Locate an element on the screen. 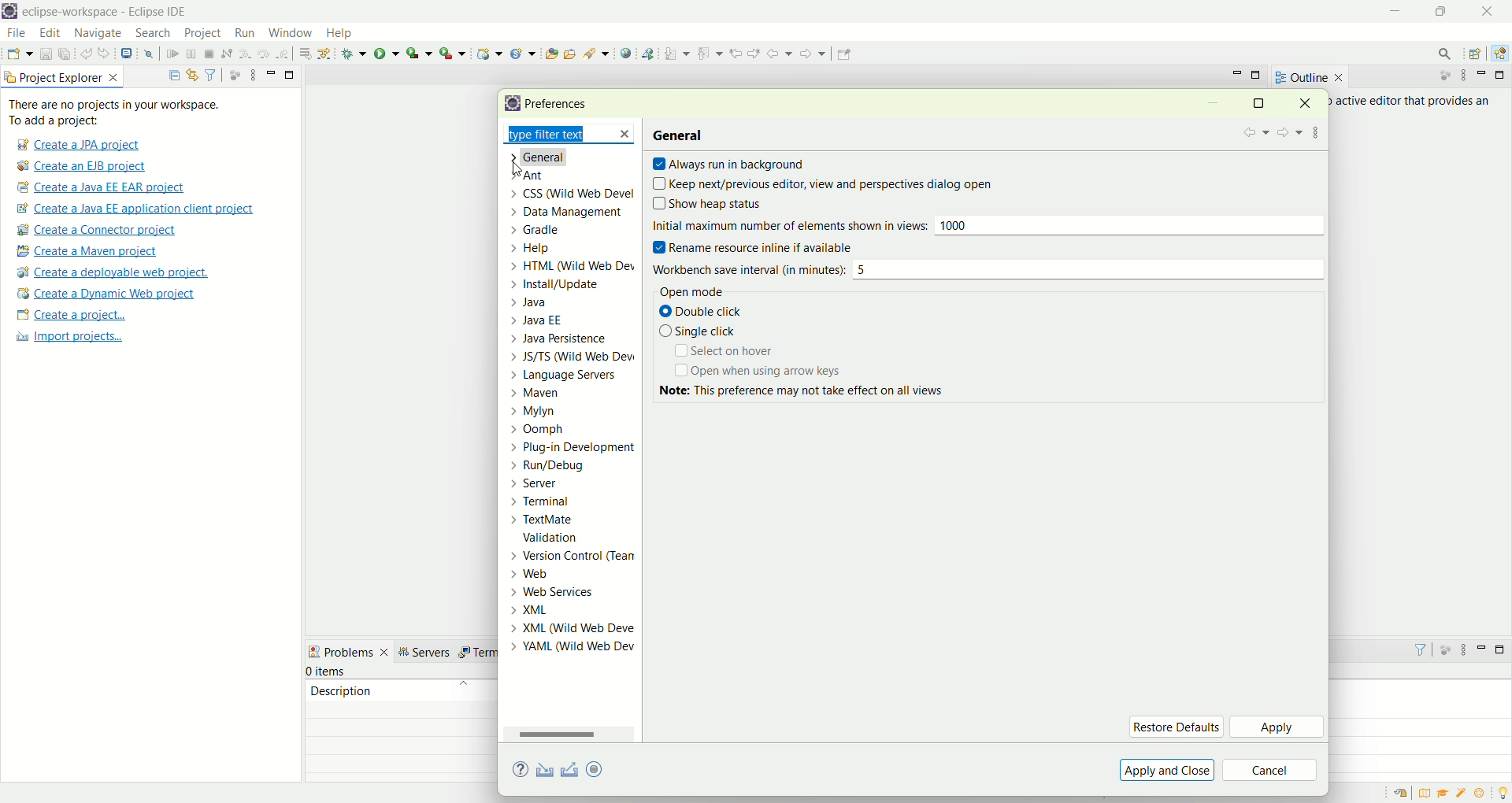 The width and height of the screenshot is (1512, 803). coverage is located at coordinates (419, 53).